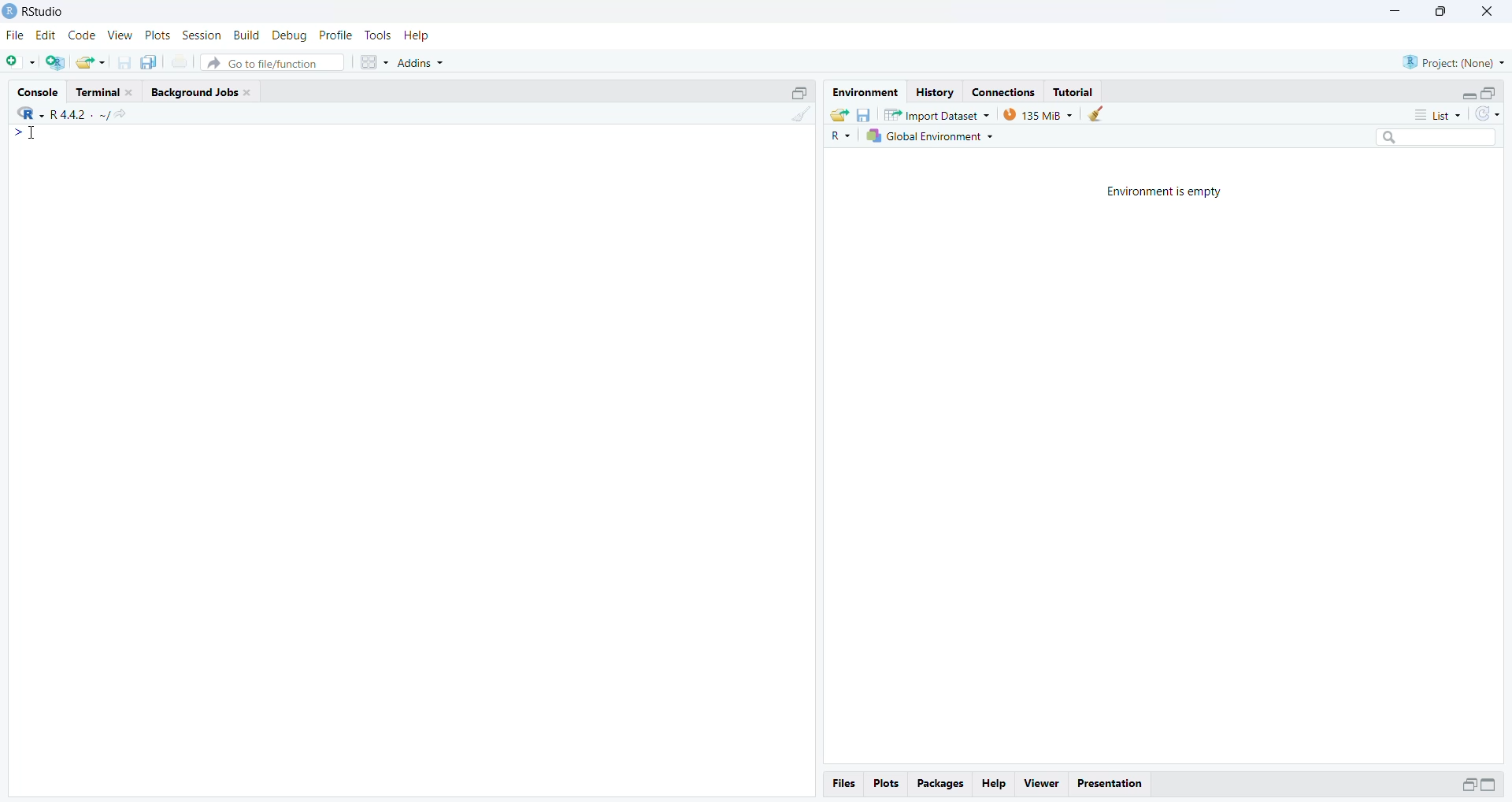  Describe the element at coordinates (154, 62) in the screenshot. I see `Save all open documents (Ctrl + Alt + S)` at that location.